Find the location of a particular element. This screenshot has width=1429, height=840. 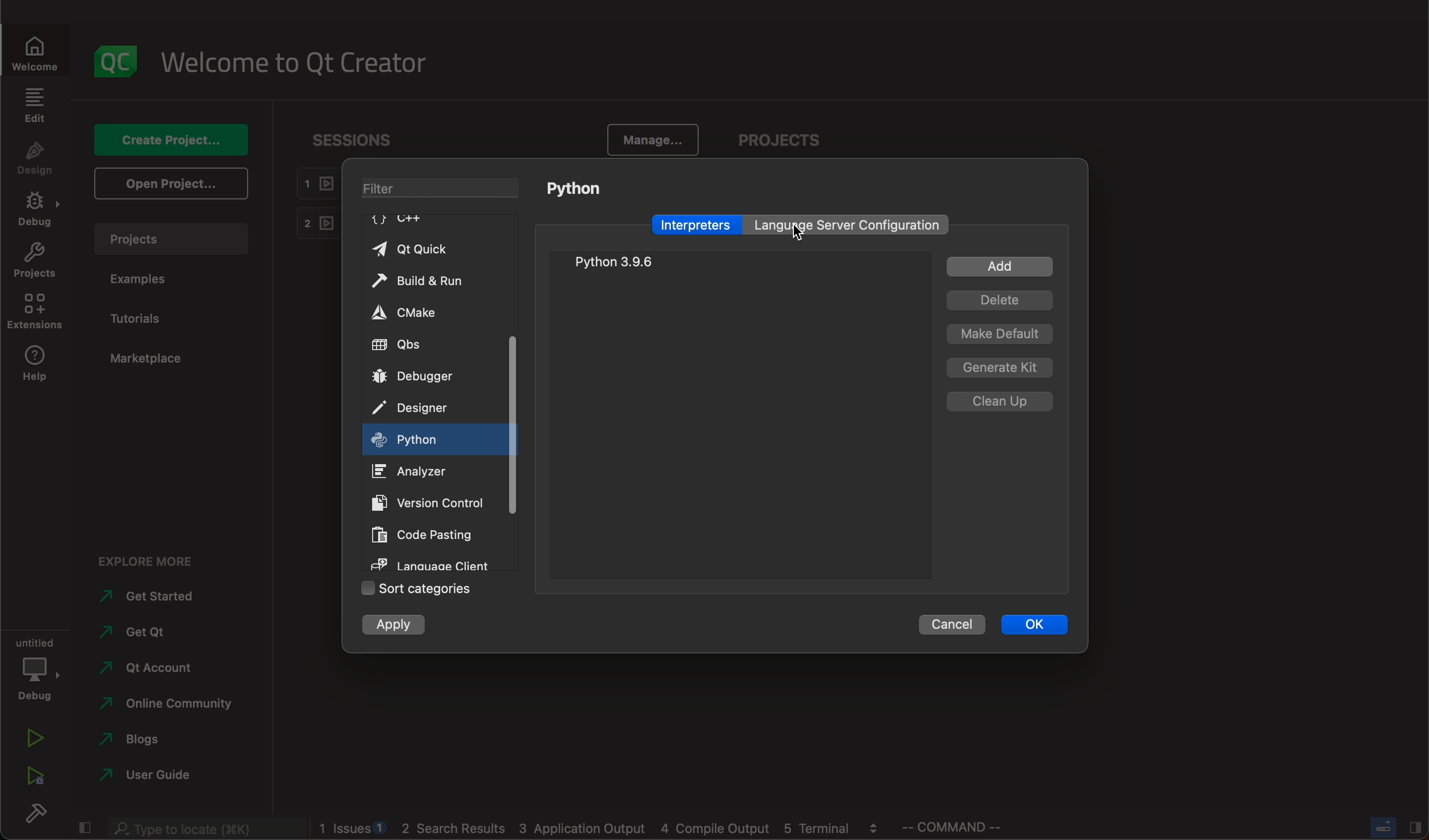

cmake is located at coordinates (408, 311).